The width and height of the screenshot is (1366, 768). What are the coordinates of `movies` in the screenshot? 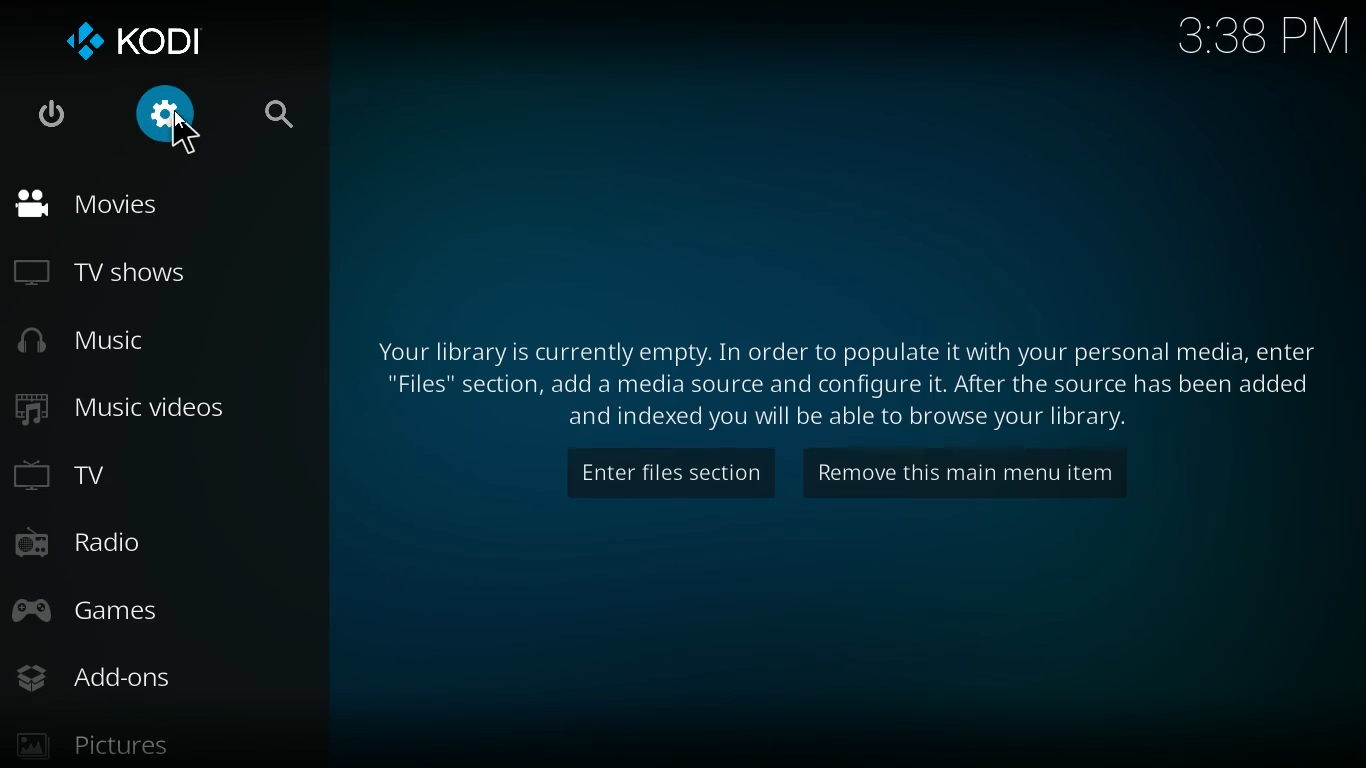 It's located at (154, 204).